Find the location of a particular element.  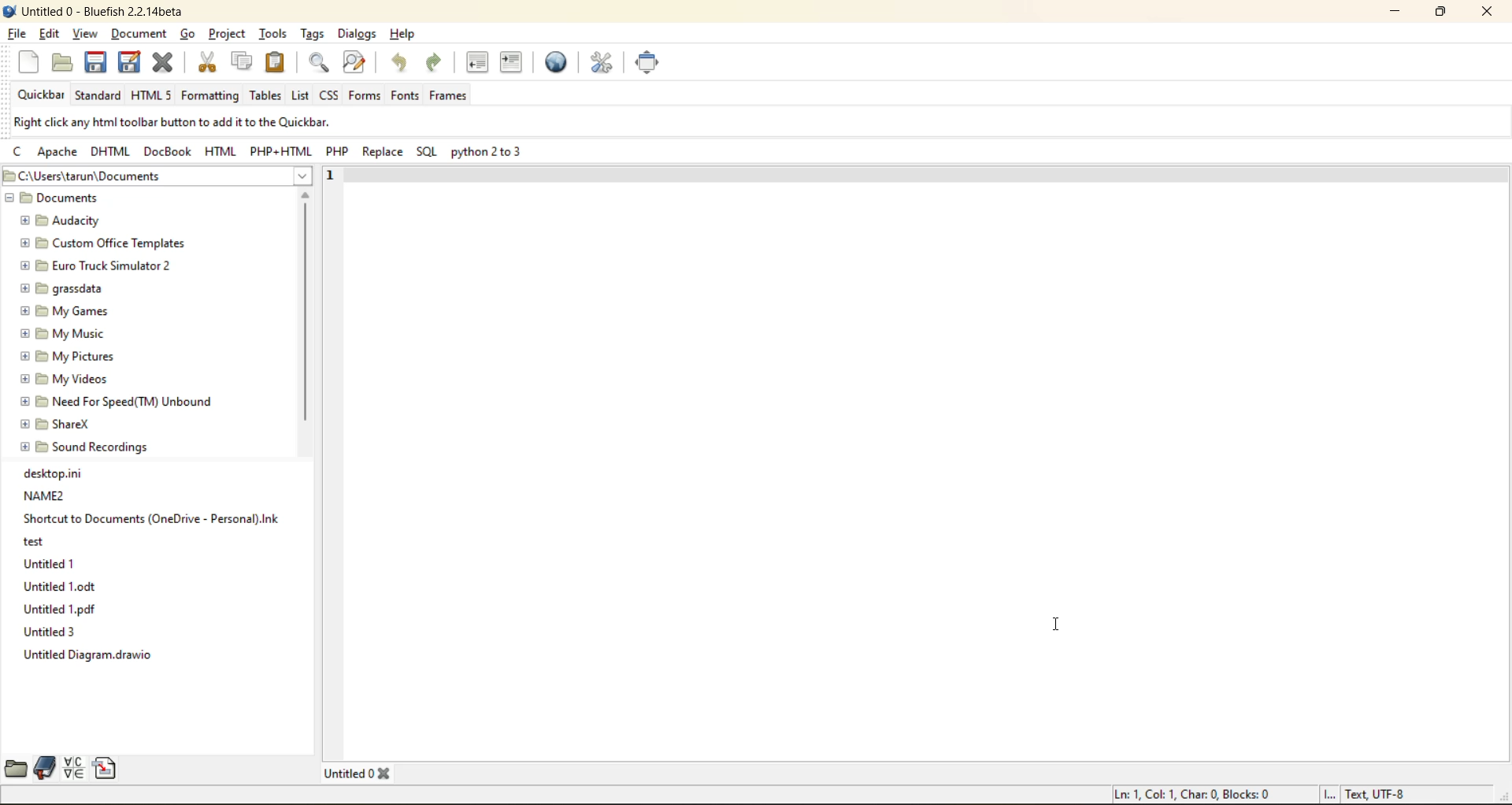

indent is located at coordinates (513, 65).